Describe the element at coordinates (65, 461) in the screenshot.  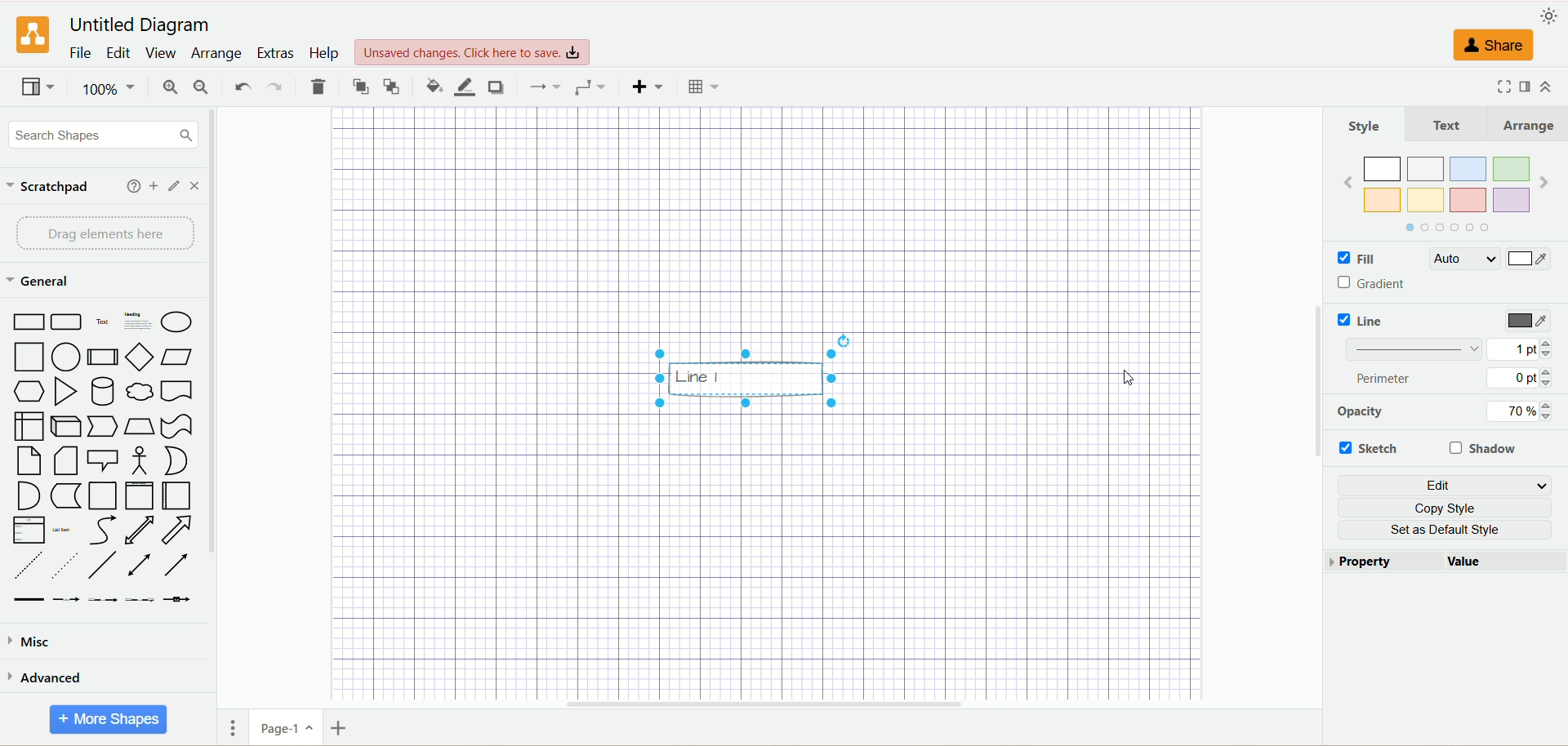
I see `Card` at that location.